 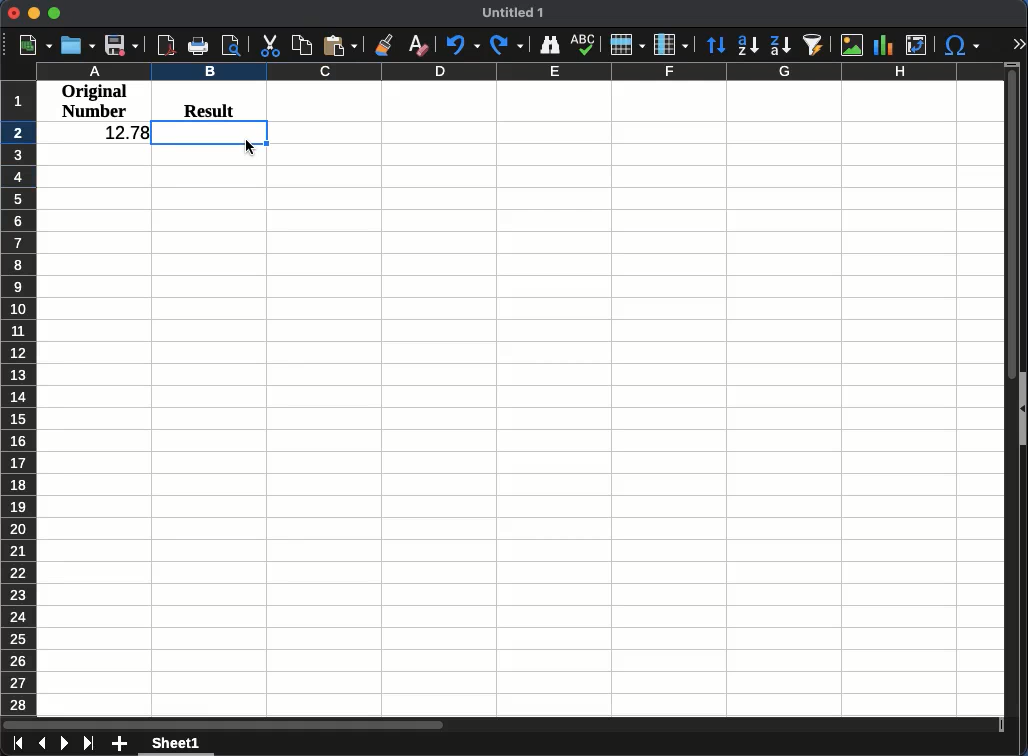 What do you see at coordinates (515, 12) in the screenshot?
I see `untitled 1` at bounding box center [515, 12].